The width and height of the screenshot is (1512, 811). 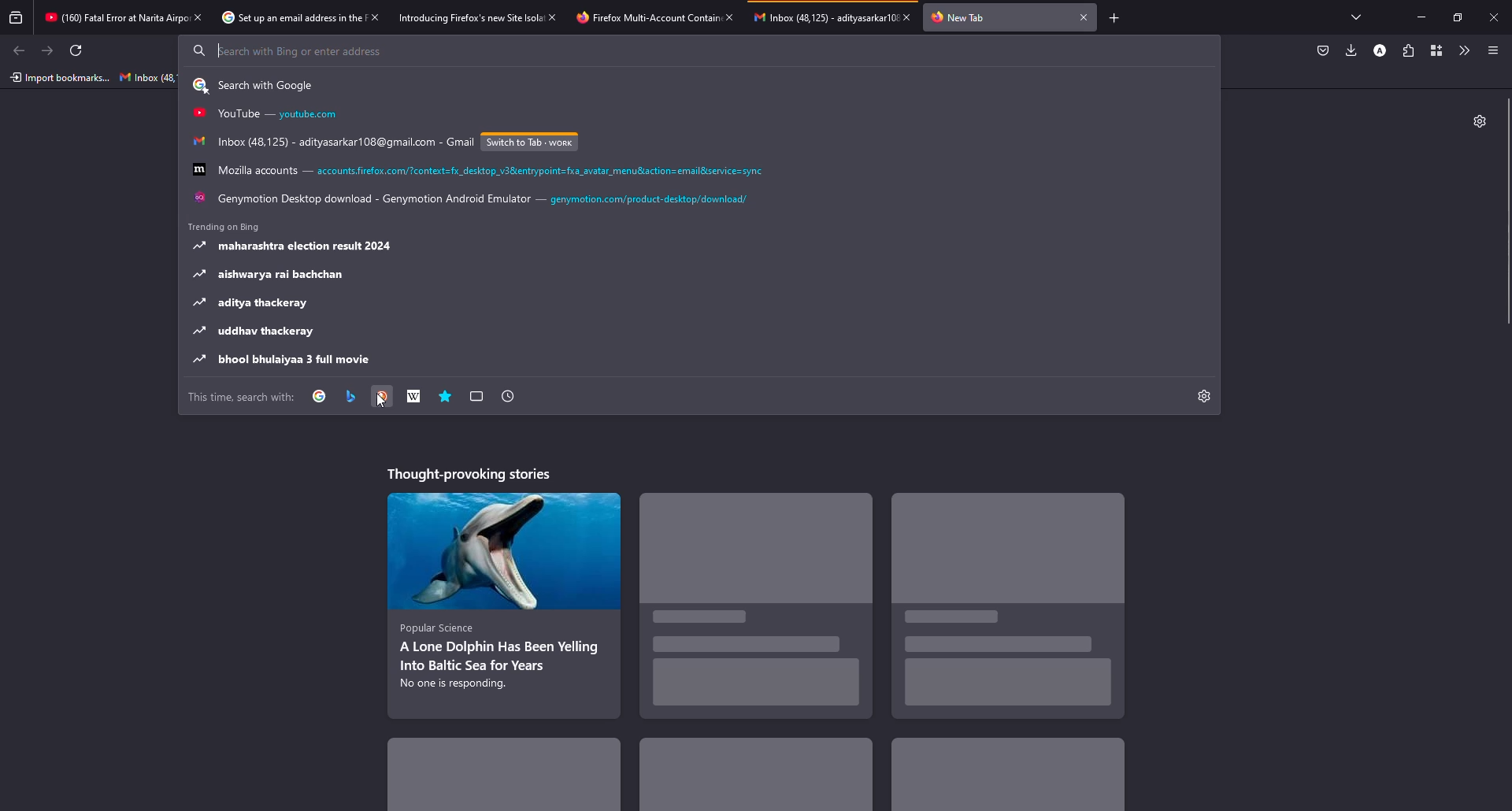 What do you see at coordinates (508, 396) in the screenshot?
I see `history` at bounding box center [508, 396].